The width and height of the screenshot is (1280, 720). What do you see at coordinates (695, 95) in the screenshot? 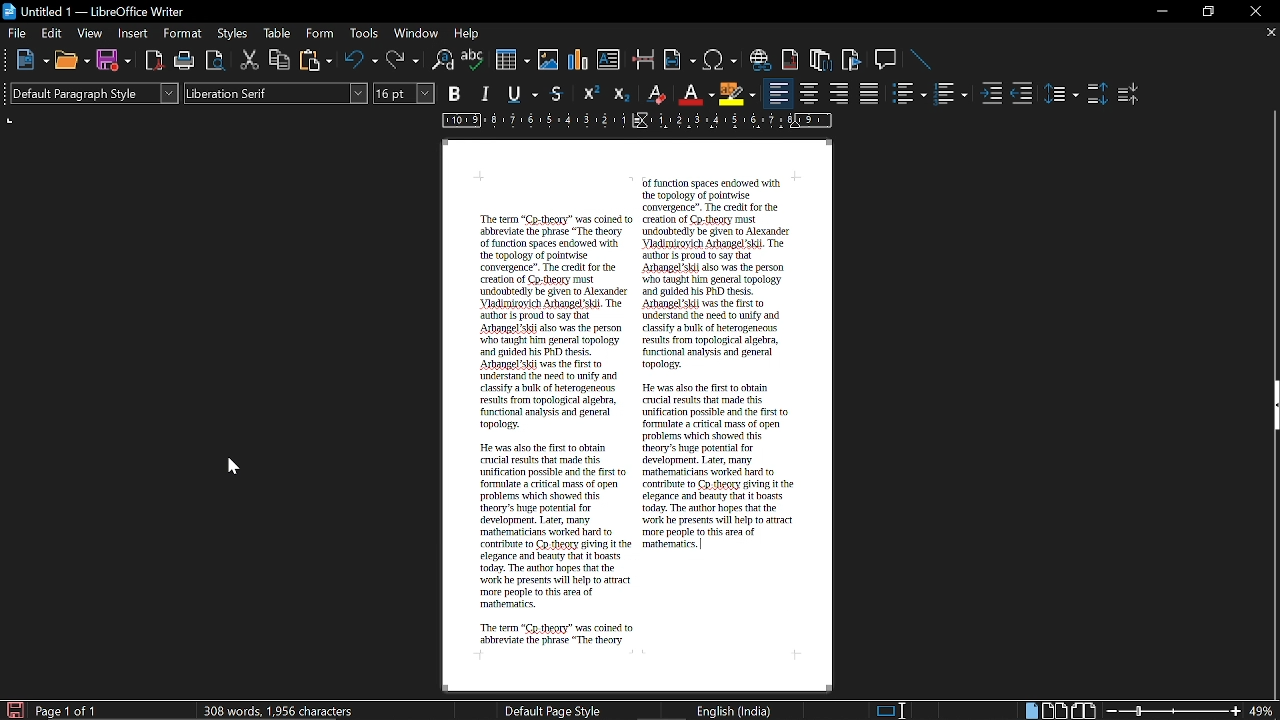
I see `Underline` at bounding box center [695, 95].